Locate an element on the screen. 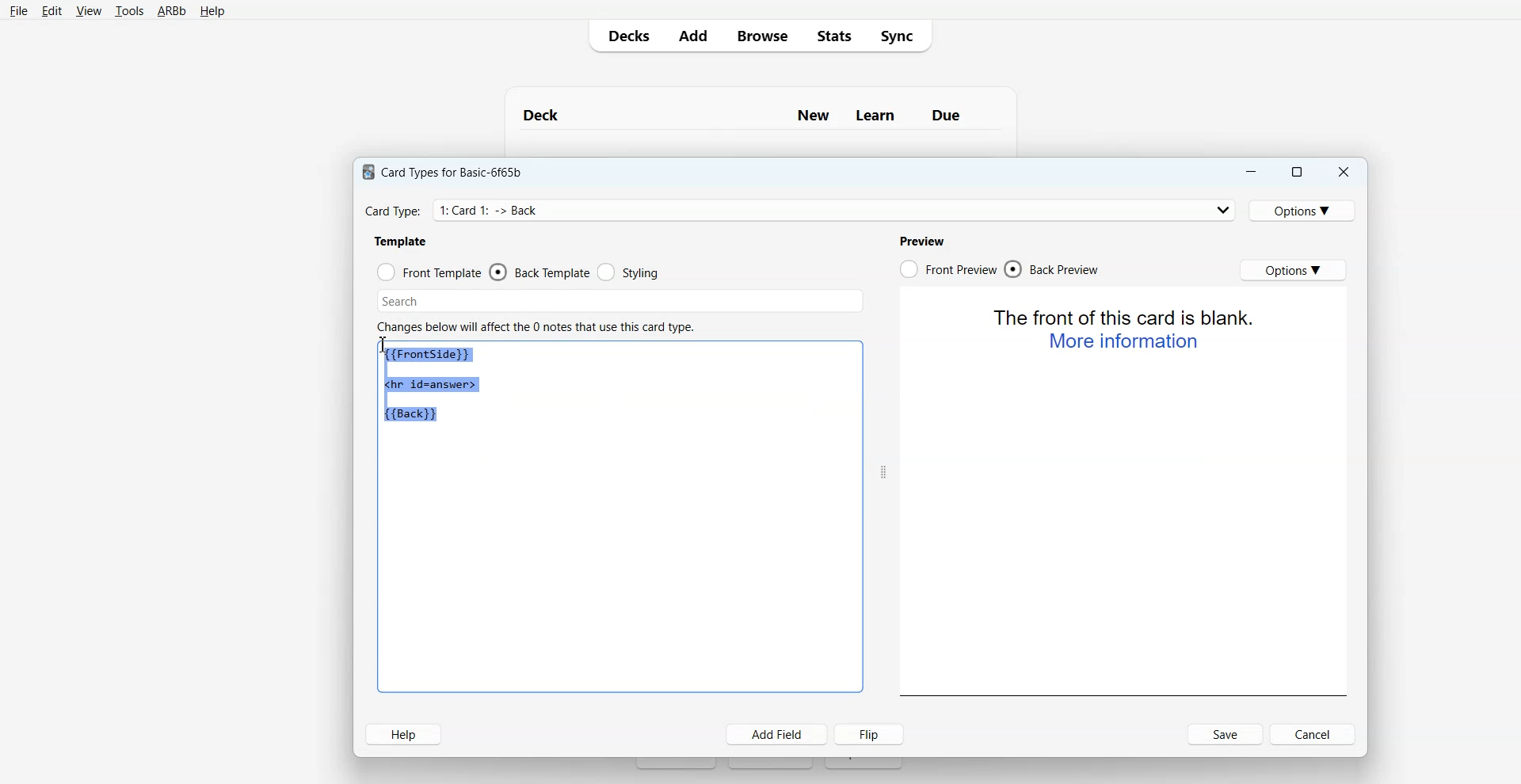 This screenshot has width=1521, height=784. Front Template is located at coordinates (429, 271).